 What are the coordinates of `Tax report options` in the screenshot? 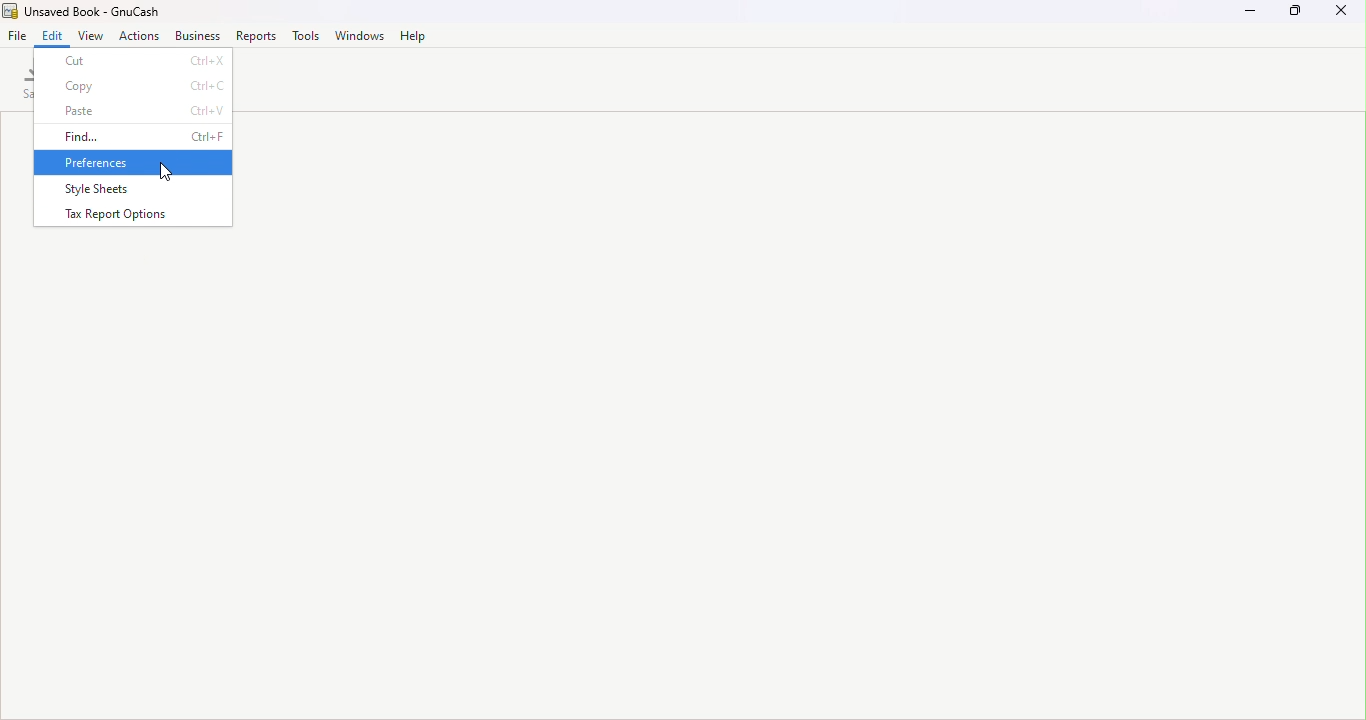 It's located at (133, 215).